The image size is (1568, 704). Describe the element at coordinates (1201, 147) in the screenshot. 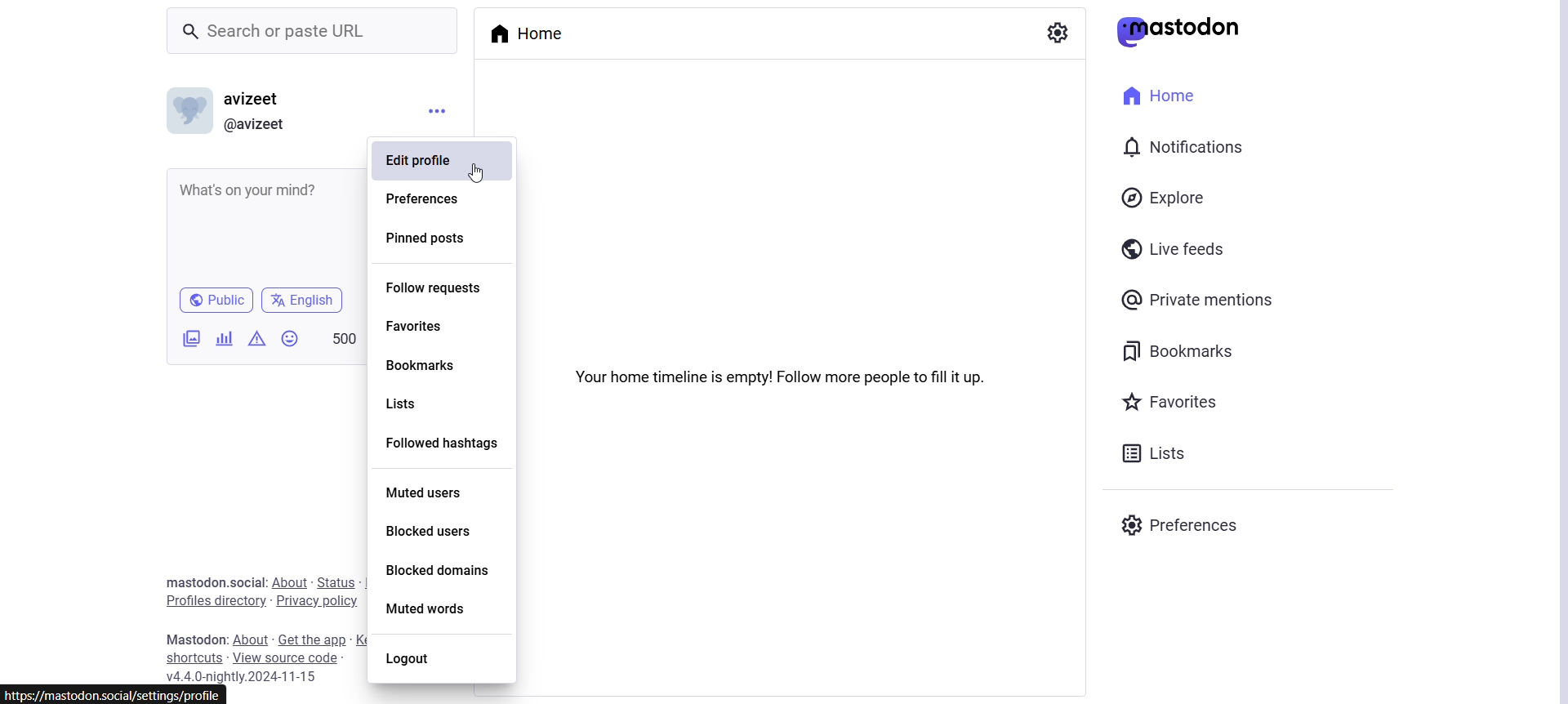

I see `Notification` at that location.